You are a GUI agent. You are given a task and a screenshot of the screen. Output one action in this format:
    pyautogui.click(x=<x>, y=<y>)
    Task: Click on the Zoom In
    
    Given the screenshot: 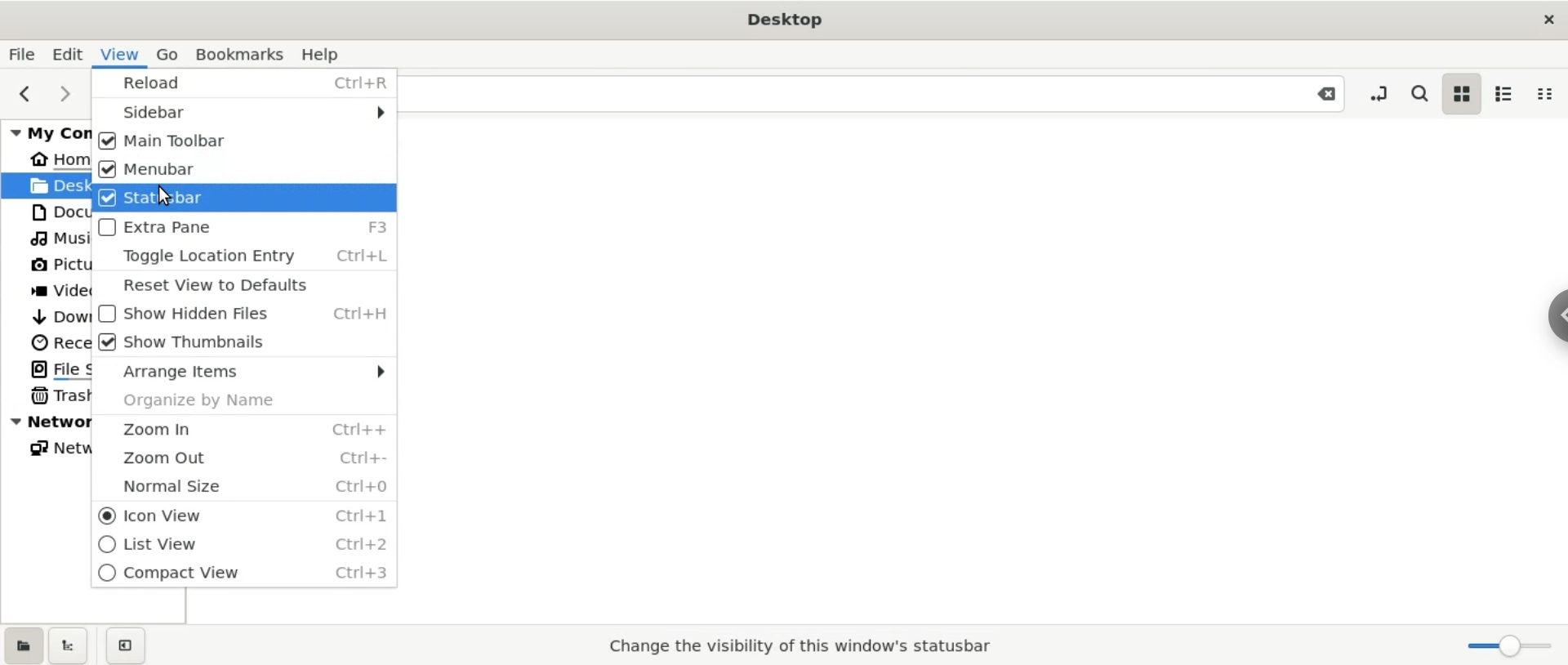 What is the action you would take?
    pyautogui.click(x=242, y=428)
    